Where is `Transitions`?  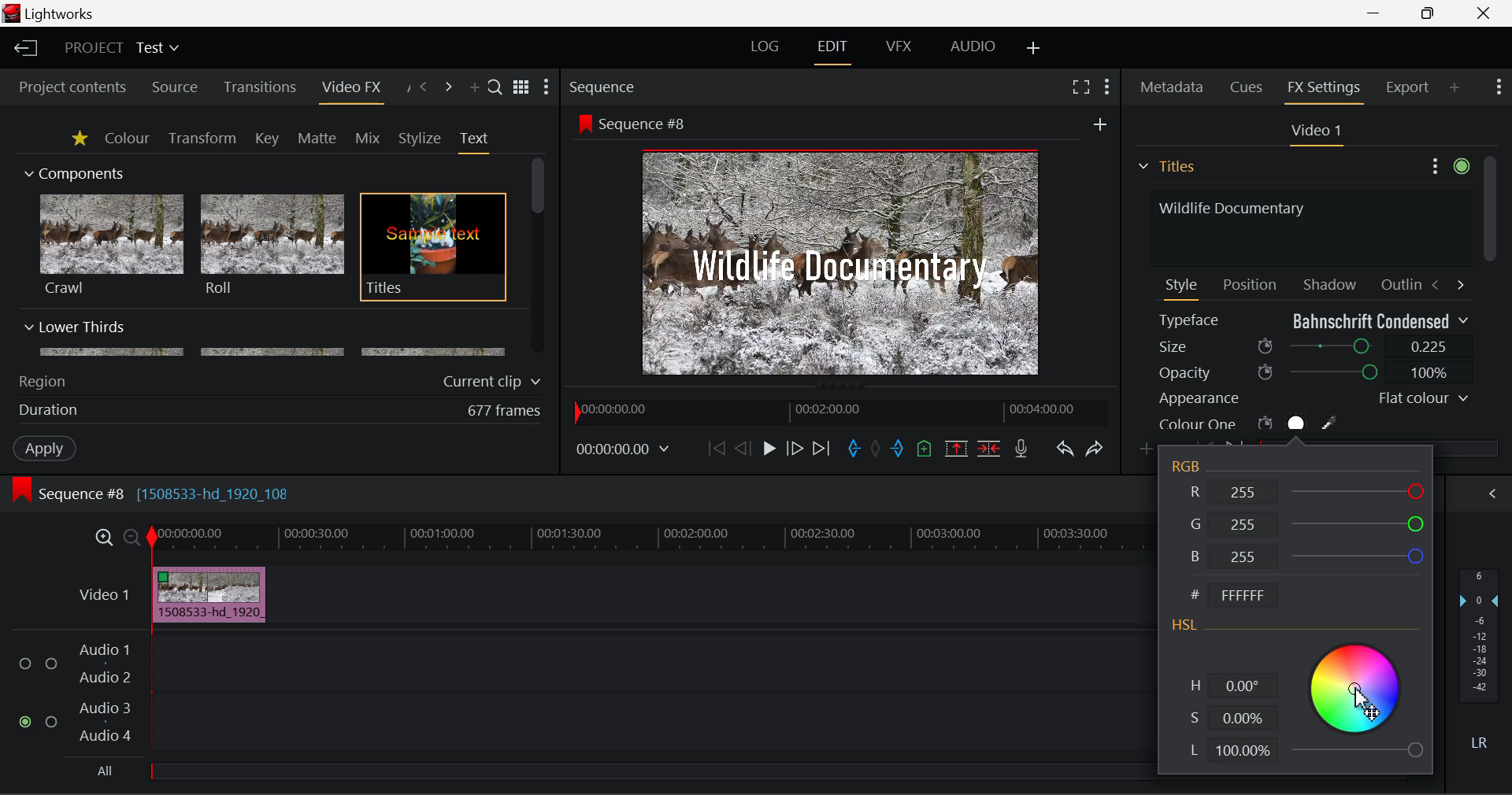 Transitions is located at coordinates (260, 87).